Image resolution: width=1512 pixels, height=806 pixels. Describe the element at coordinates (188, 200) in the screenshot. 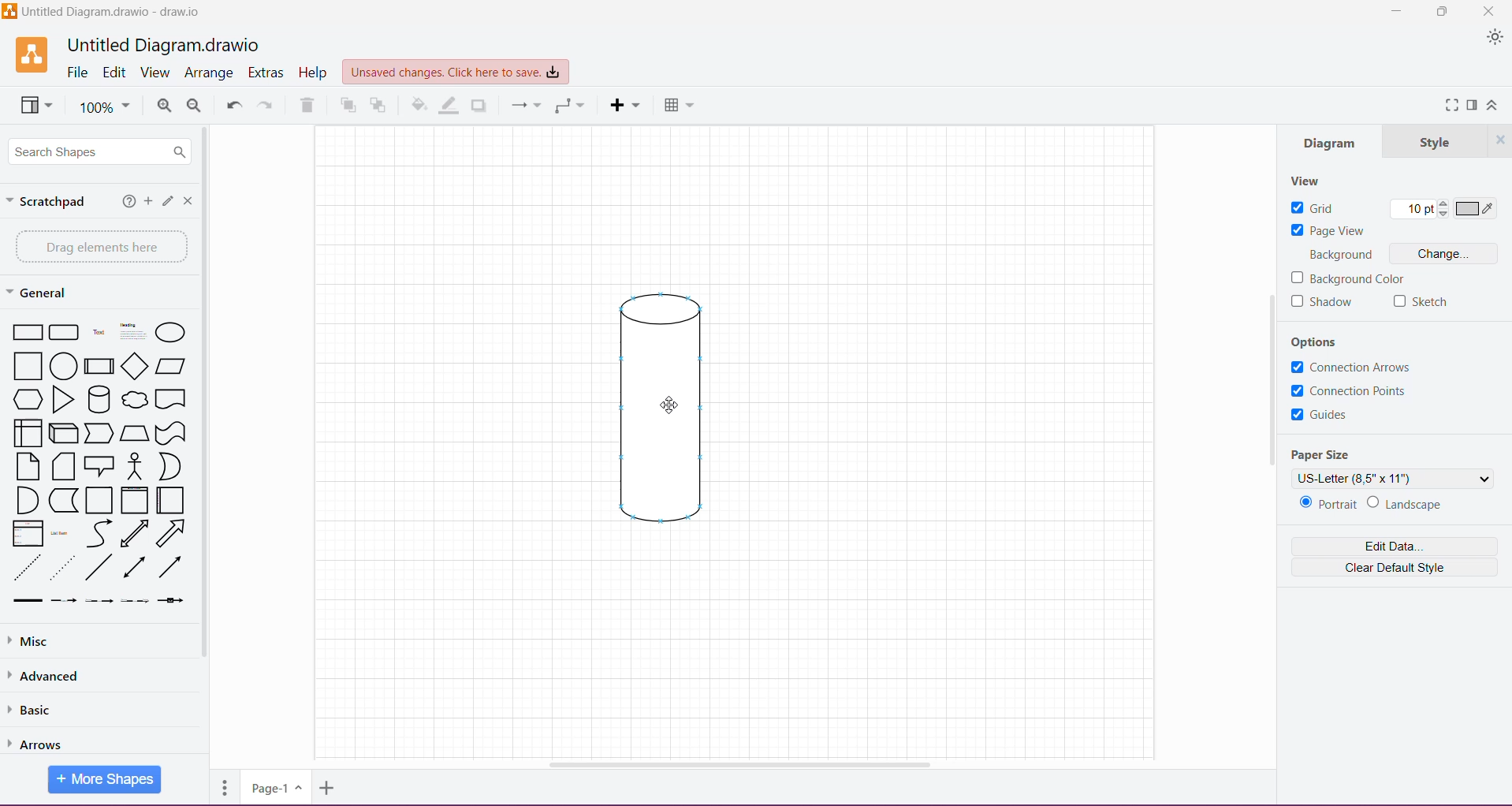

I see `Close` at that location.